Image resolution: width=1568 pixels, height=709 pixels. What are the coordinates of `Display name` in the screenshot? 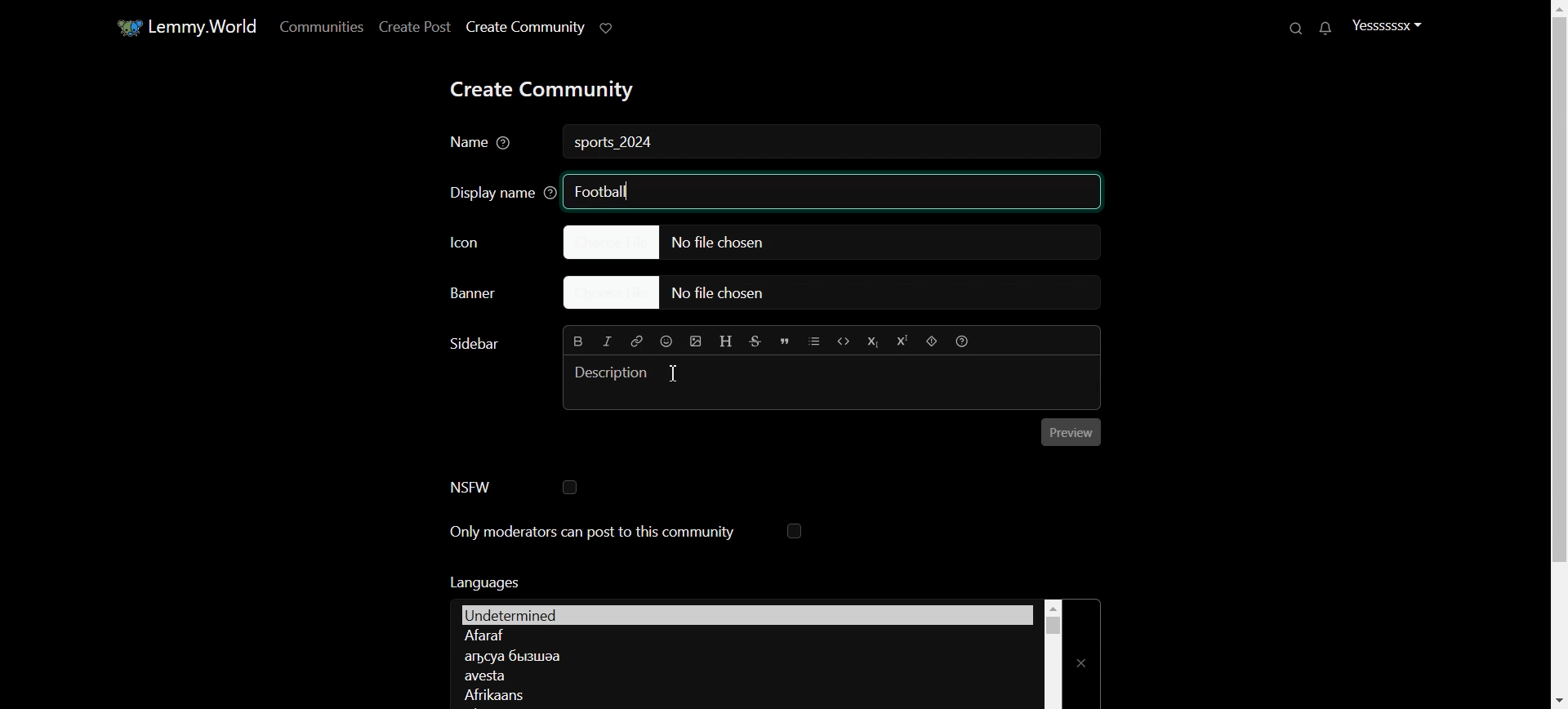 It's located at (497, 191).